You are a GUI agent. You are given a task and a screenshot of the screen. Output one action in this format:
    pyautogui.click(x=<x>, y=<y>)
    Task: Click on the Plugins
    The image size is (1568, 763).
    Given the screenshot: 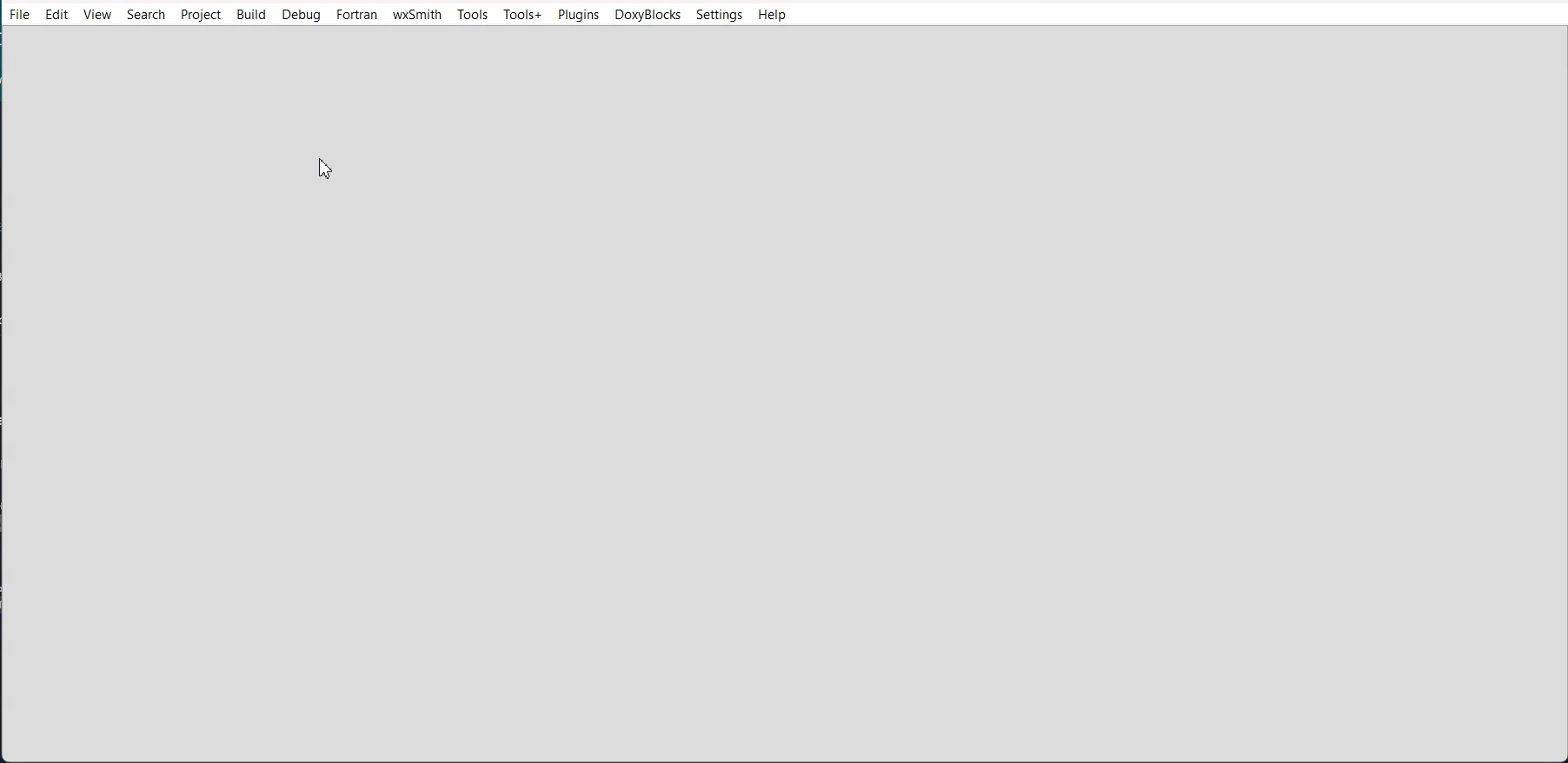 What is the action you would take?
    pyautogui.click(x=578, y=15)
    